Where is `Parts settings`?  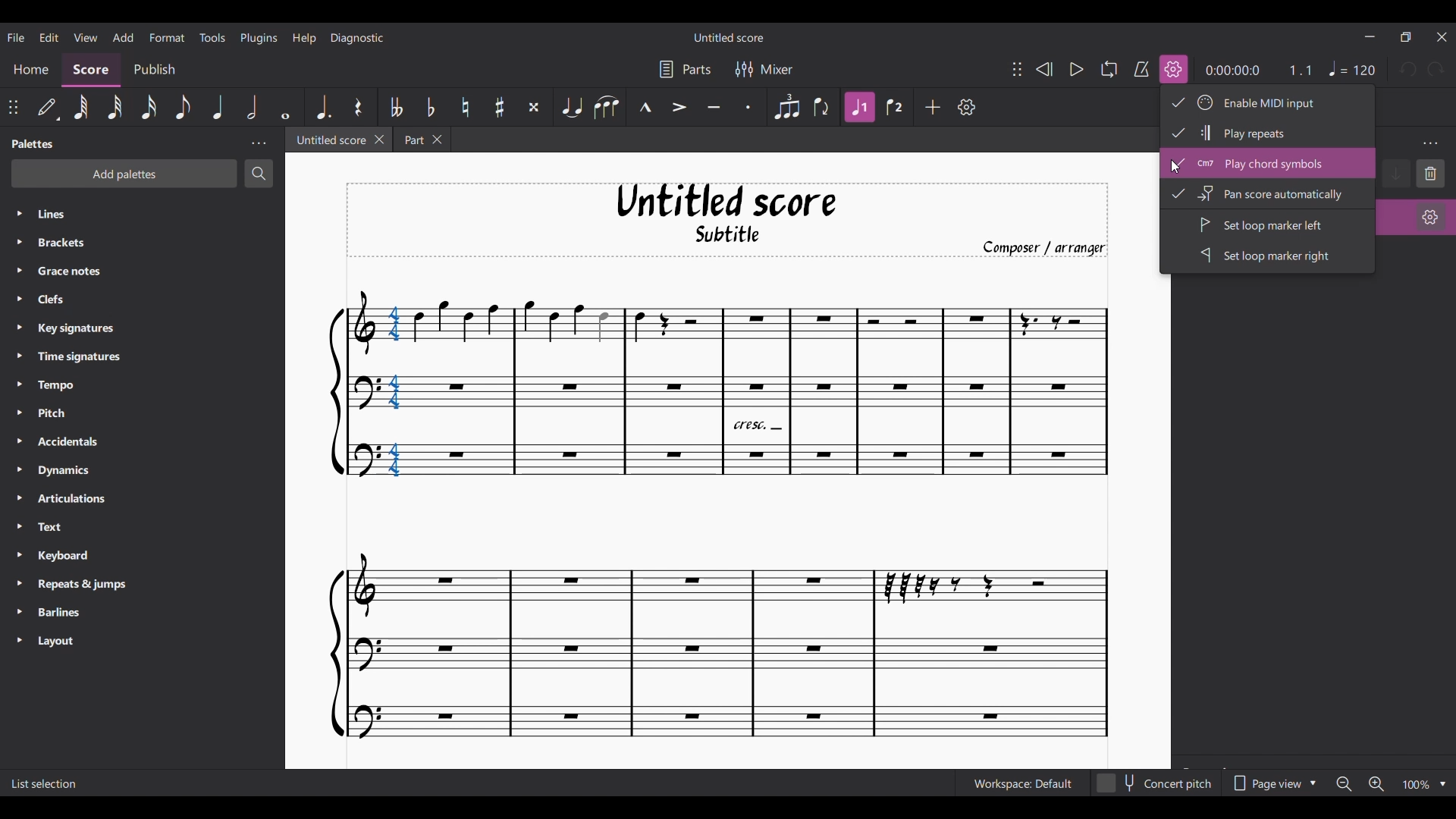
Parts settings is located at coordinates (686, 69).